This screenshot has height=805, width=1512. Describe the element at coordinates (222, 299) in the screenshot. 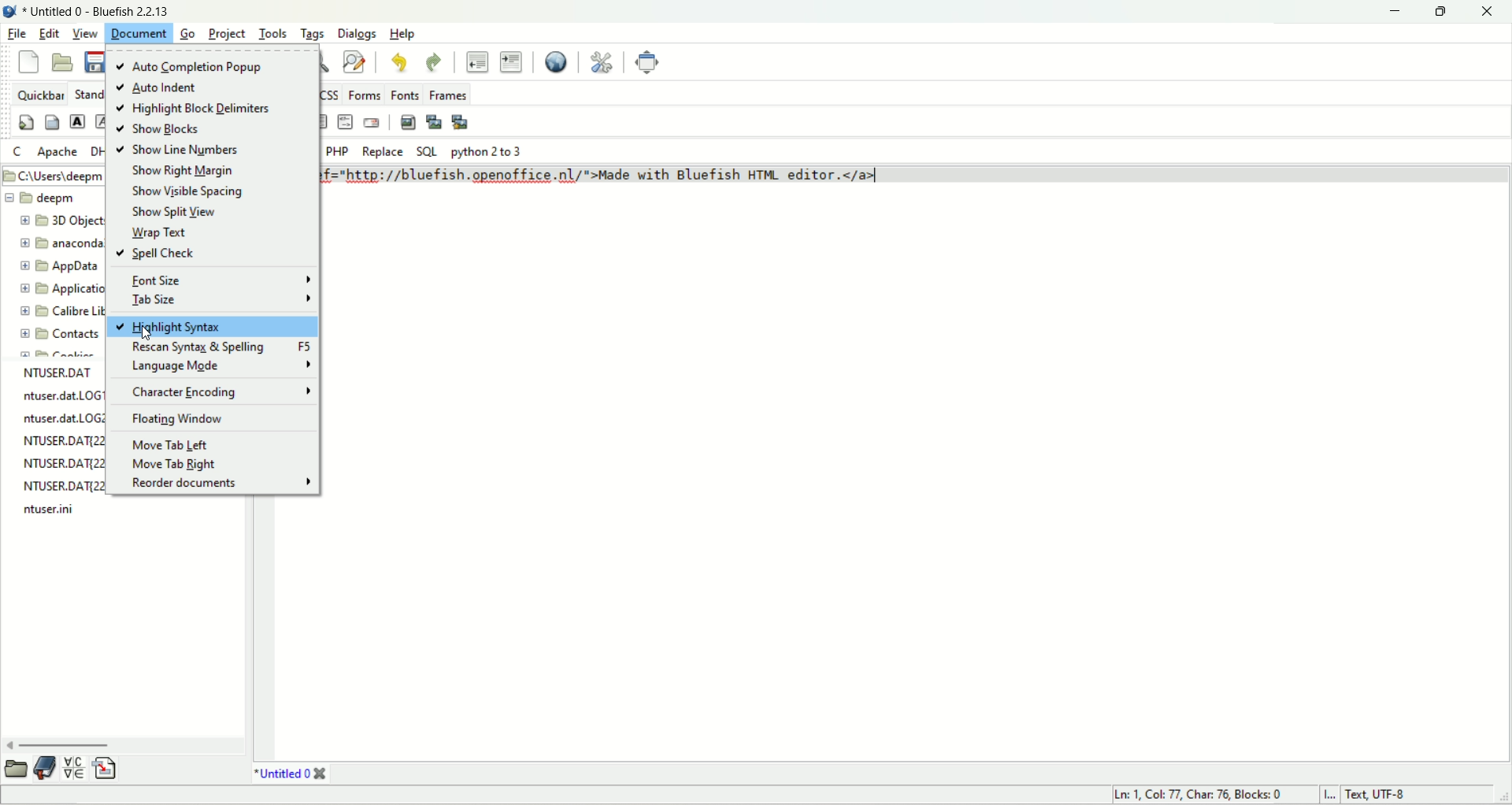

I see `tab size` at that location.